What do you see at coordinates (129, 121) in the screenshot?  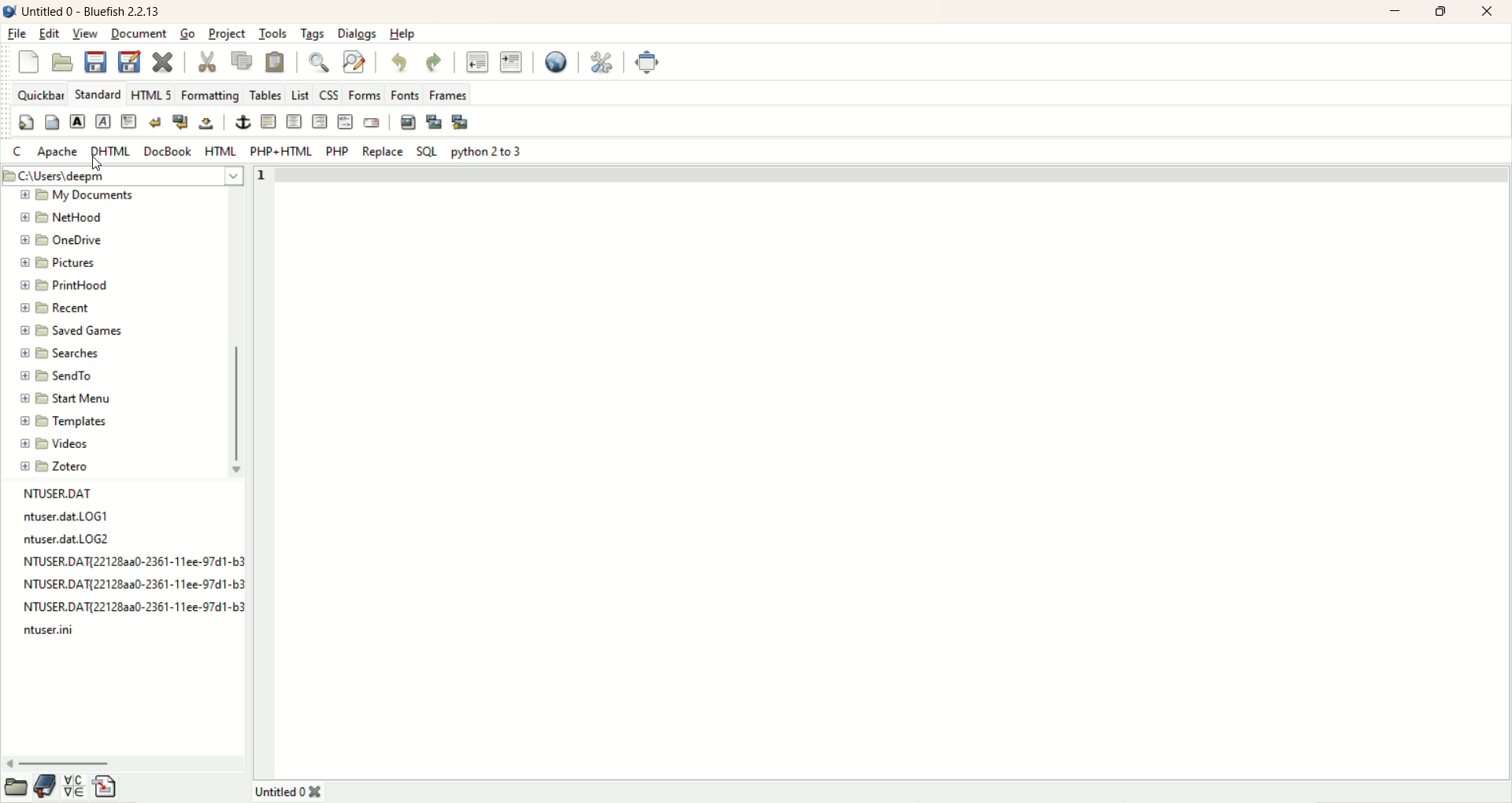 I see `paragraph` at bounding box center [129, 121].